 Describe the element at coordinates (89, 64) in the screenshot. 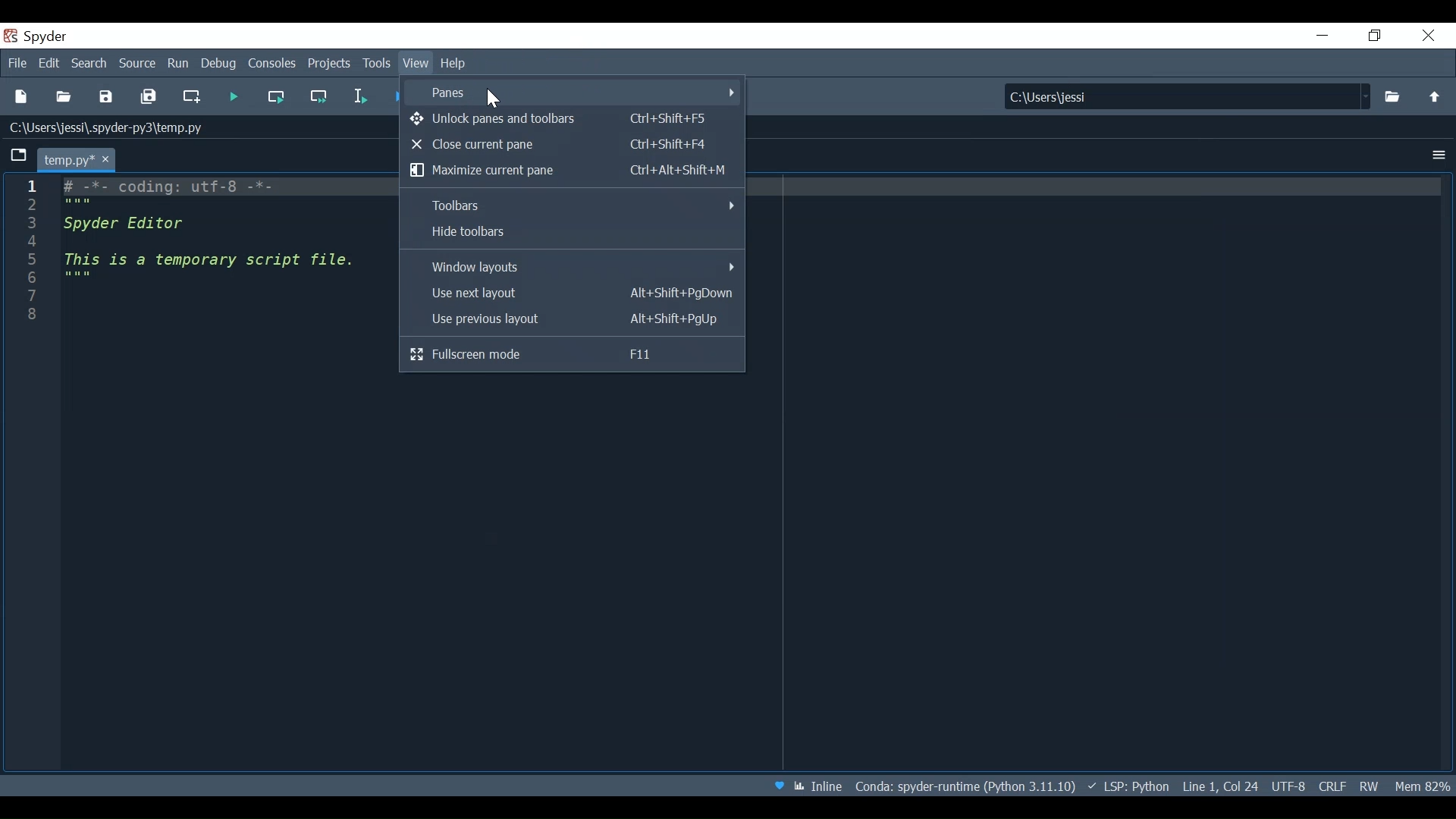

I see `Search` at that location.